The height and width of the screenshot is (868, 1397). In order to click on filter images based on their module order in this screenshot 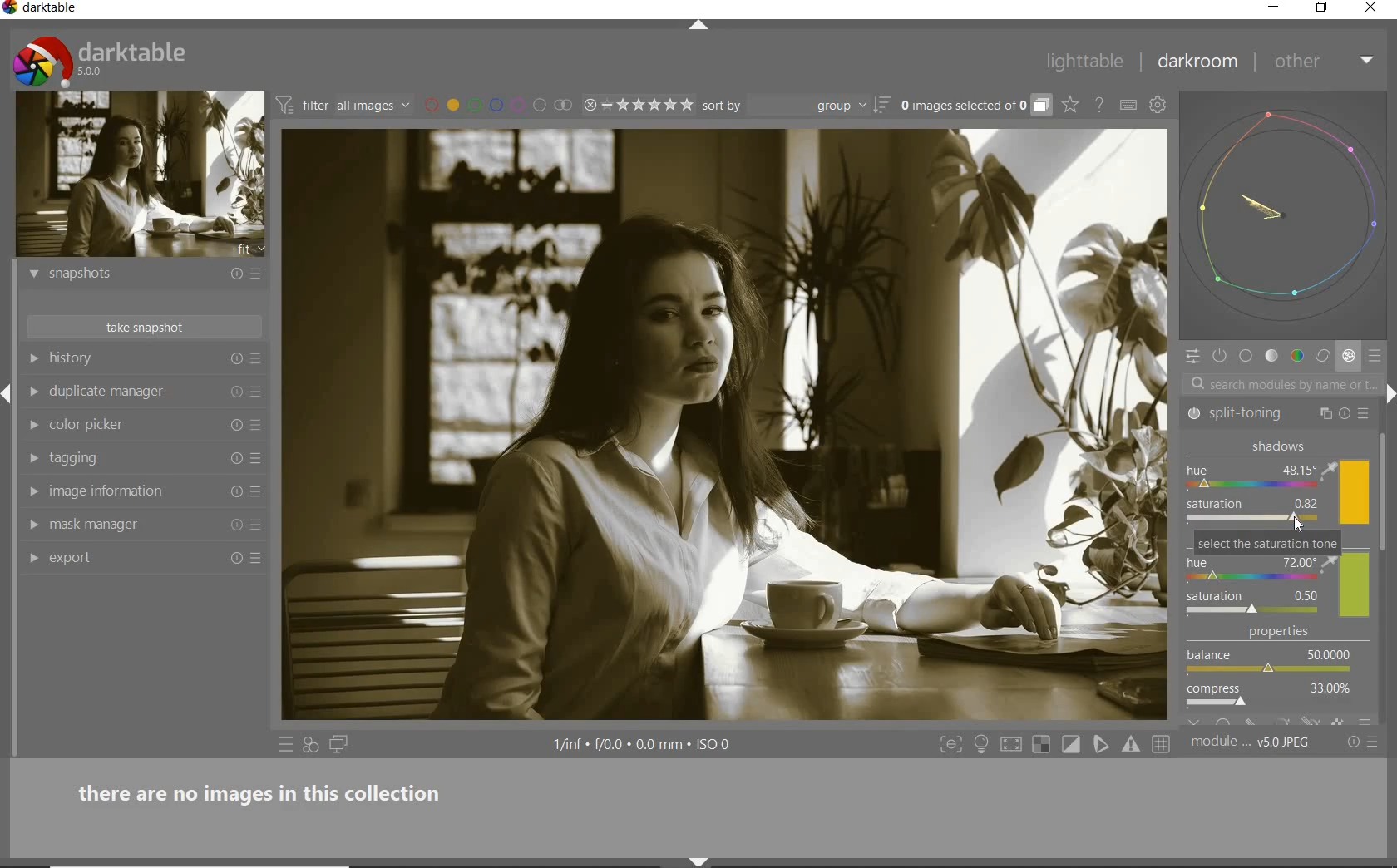, I will do `click(344, 107)`.